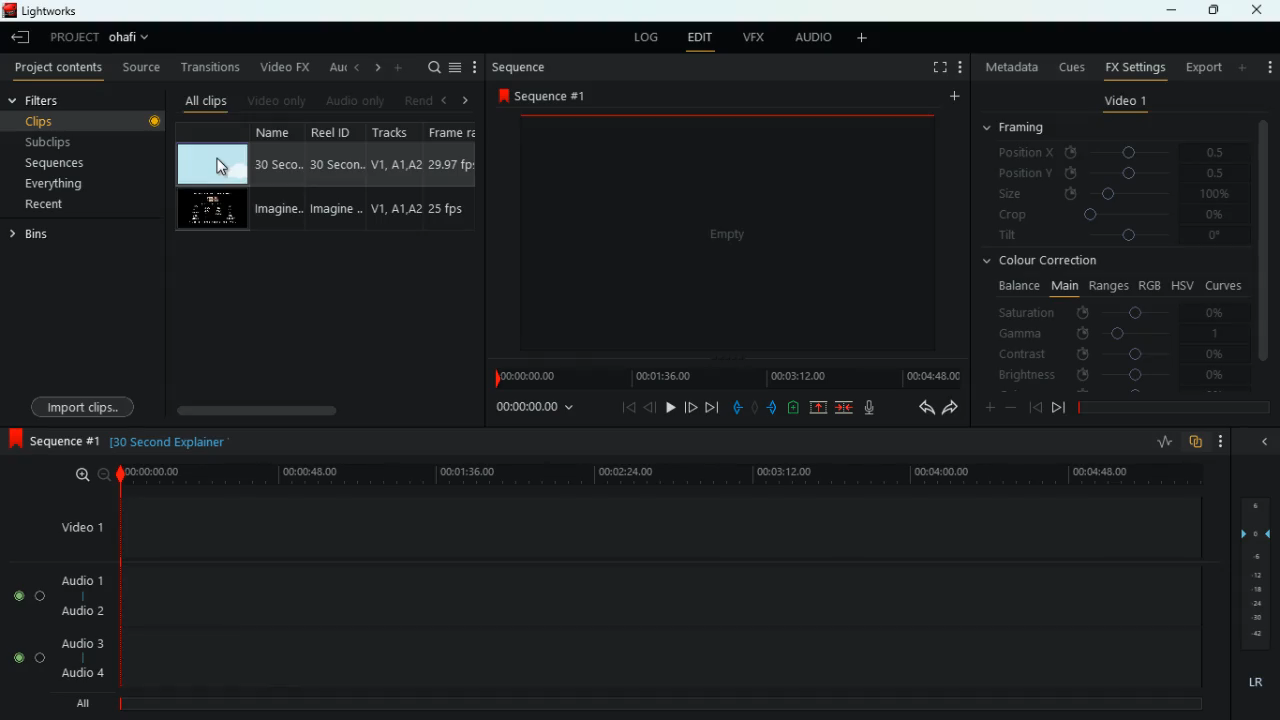  I want to click on recent, so click(50, 207).